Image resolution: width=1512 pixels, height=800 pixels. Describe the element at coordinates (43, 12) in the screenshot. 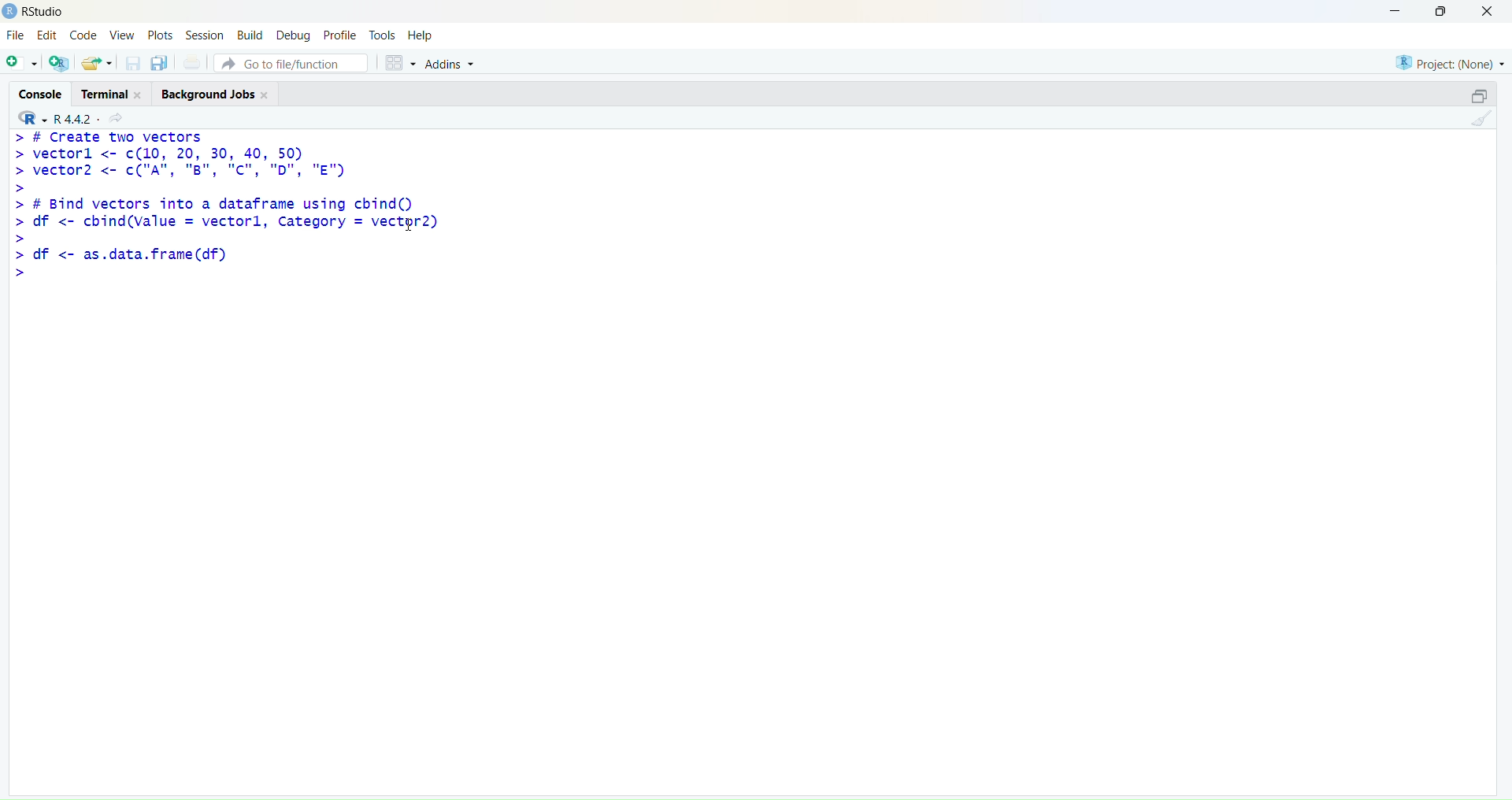

I see `RStudio` at that location.